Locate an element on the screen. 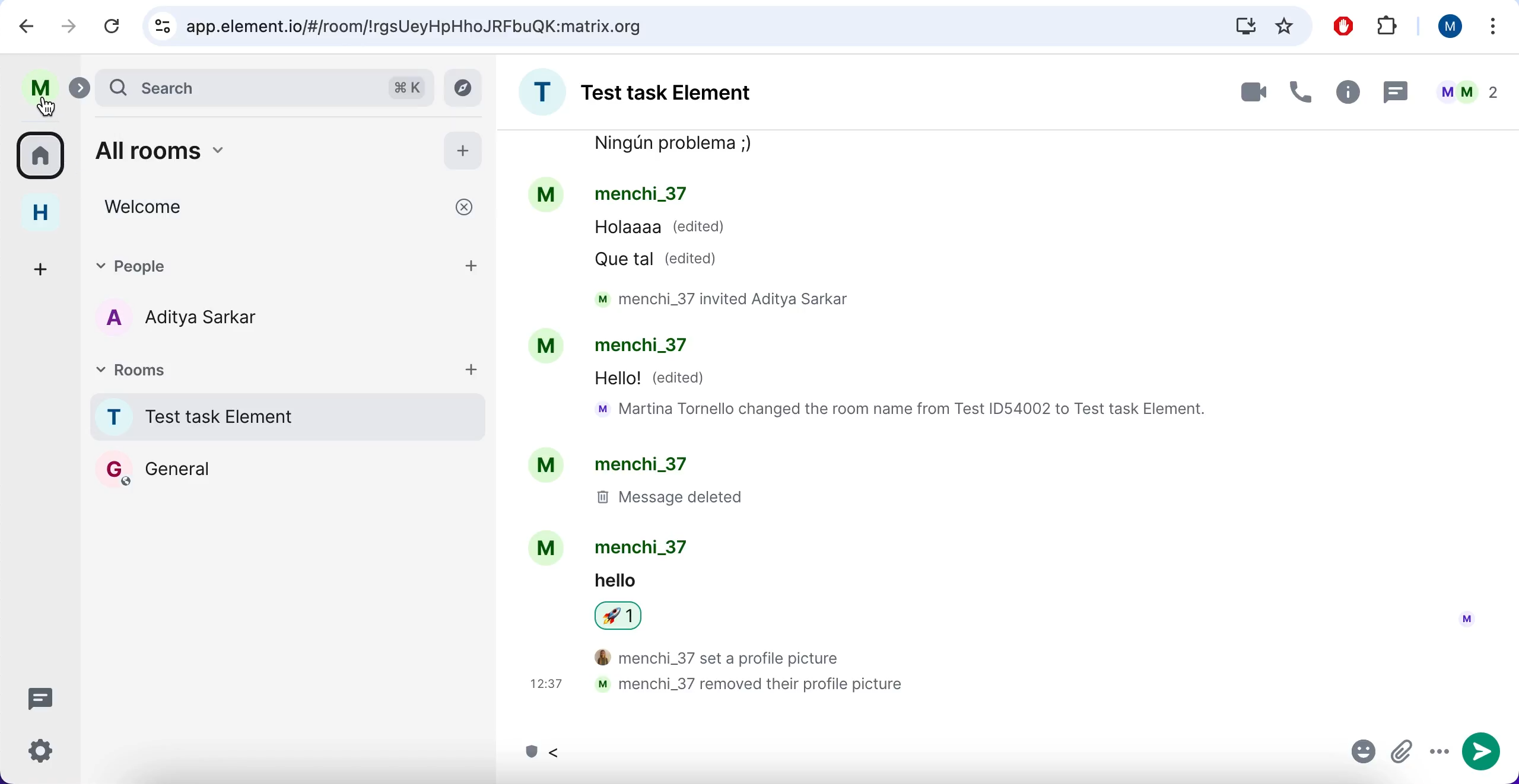 The width and height of the screenshot is (1519, 784). more options is located at coordinates (1492, 26).